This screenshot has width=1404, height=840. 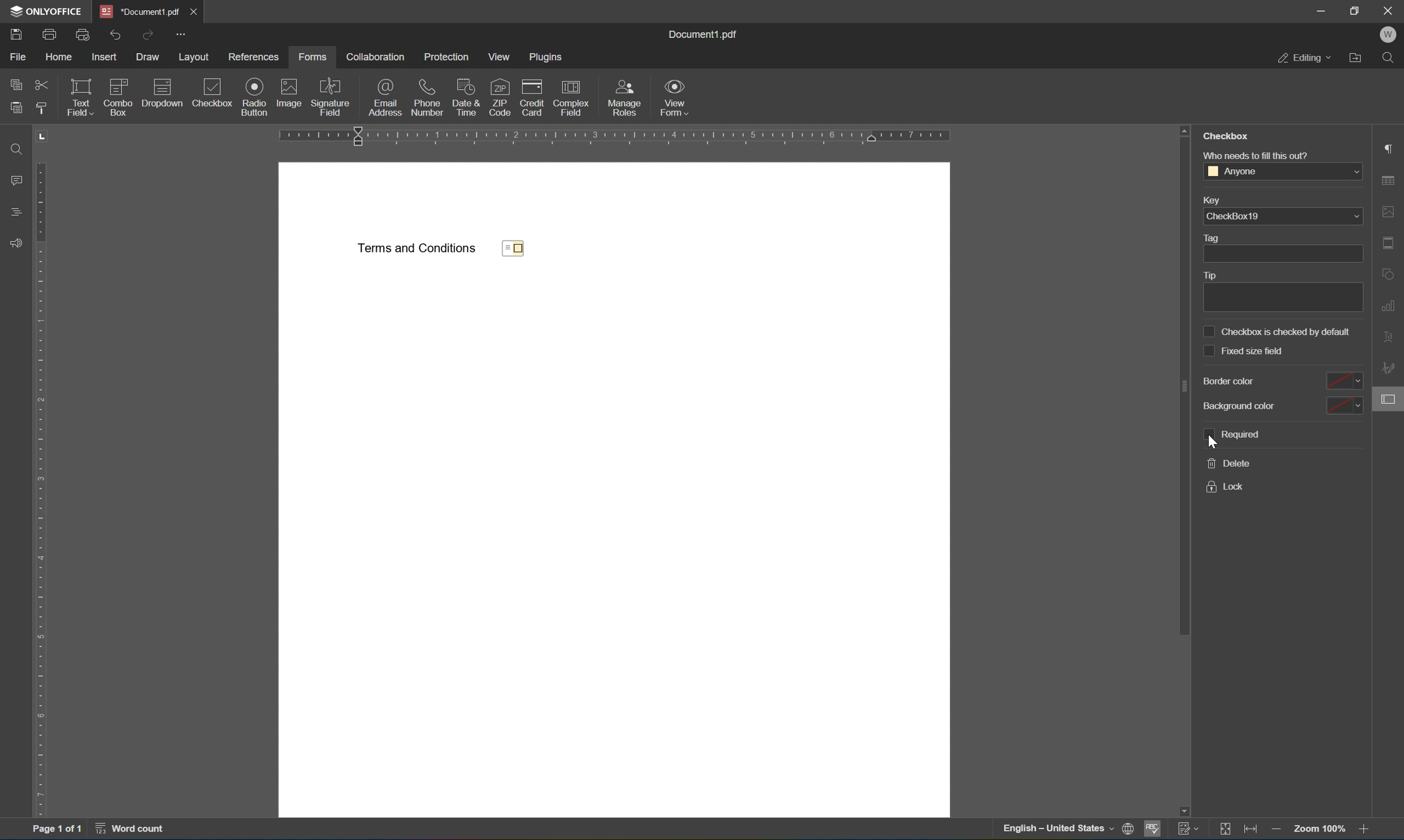 I want to click on drop down, so click(x=1352, y=172).